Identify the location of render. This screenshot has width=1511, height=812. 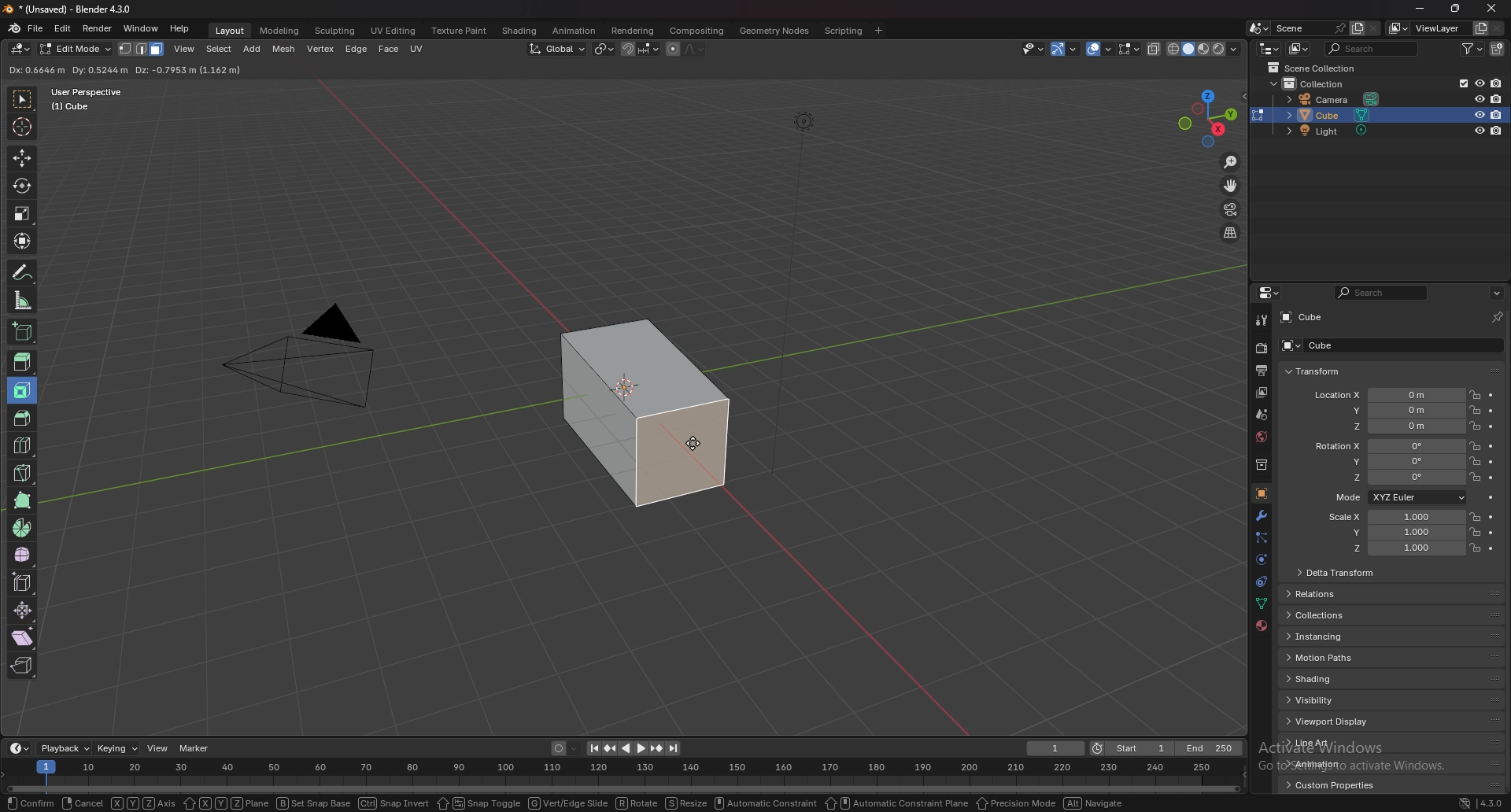
(98, 29).